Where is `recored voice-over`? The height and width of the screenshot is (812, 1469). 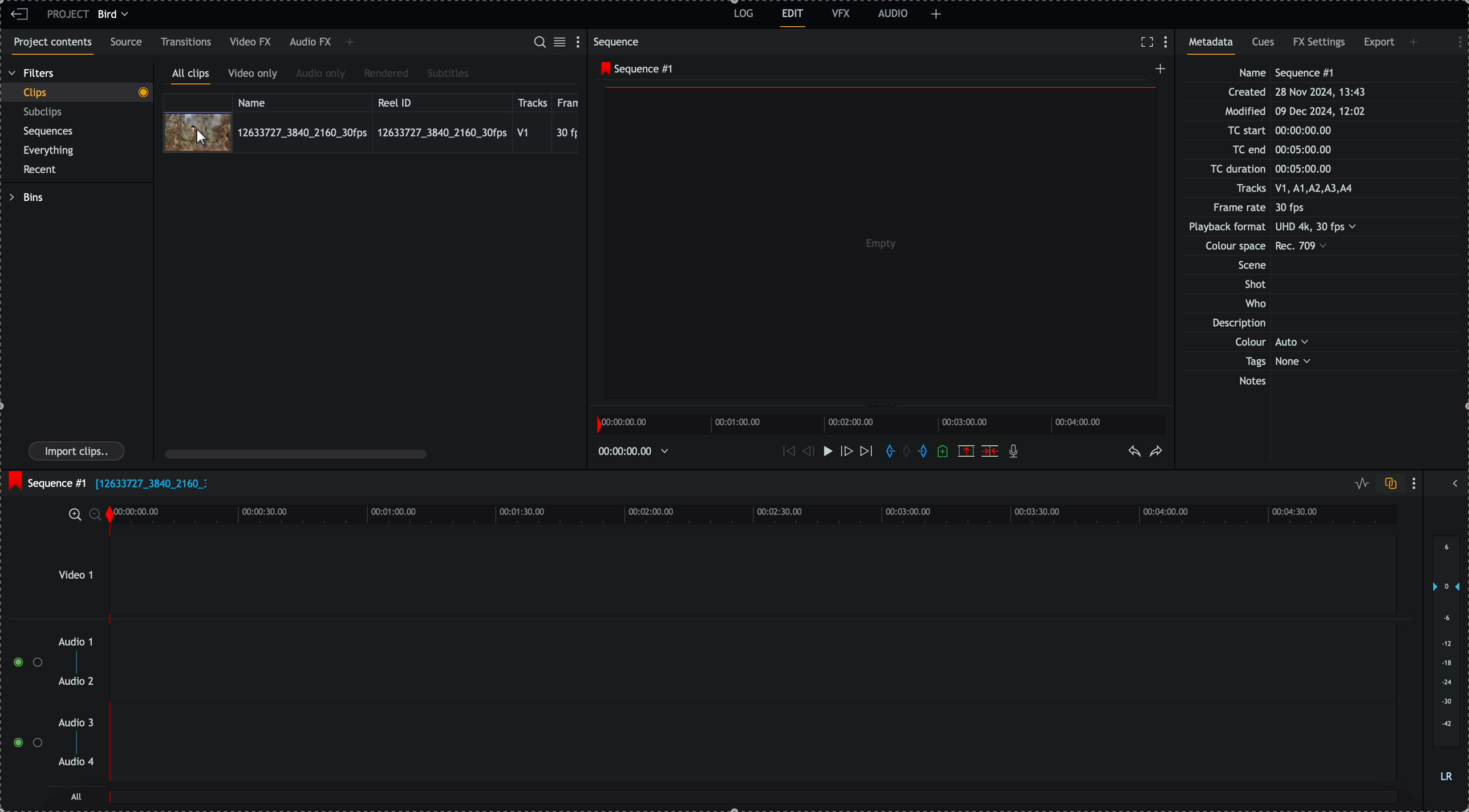
recored voice-over is located at coordinates (1016, 452).